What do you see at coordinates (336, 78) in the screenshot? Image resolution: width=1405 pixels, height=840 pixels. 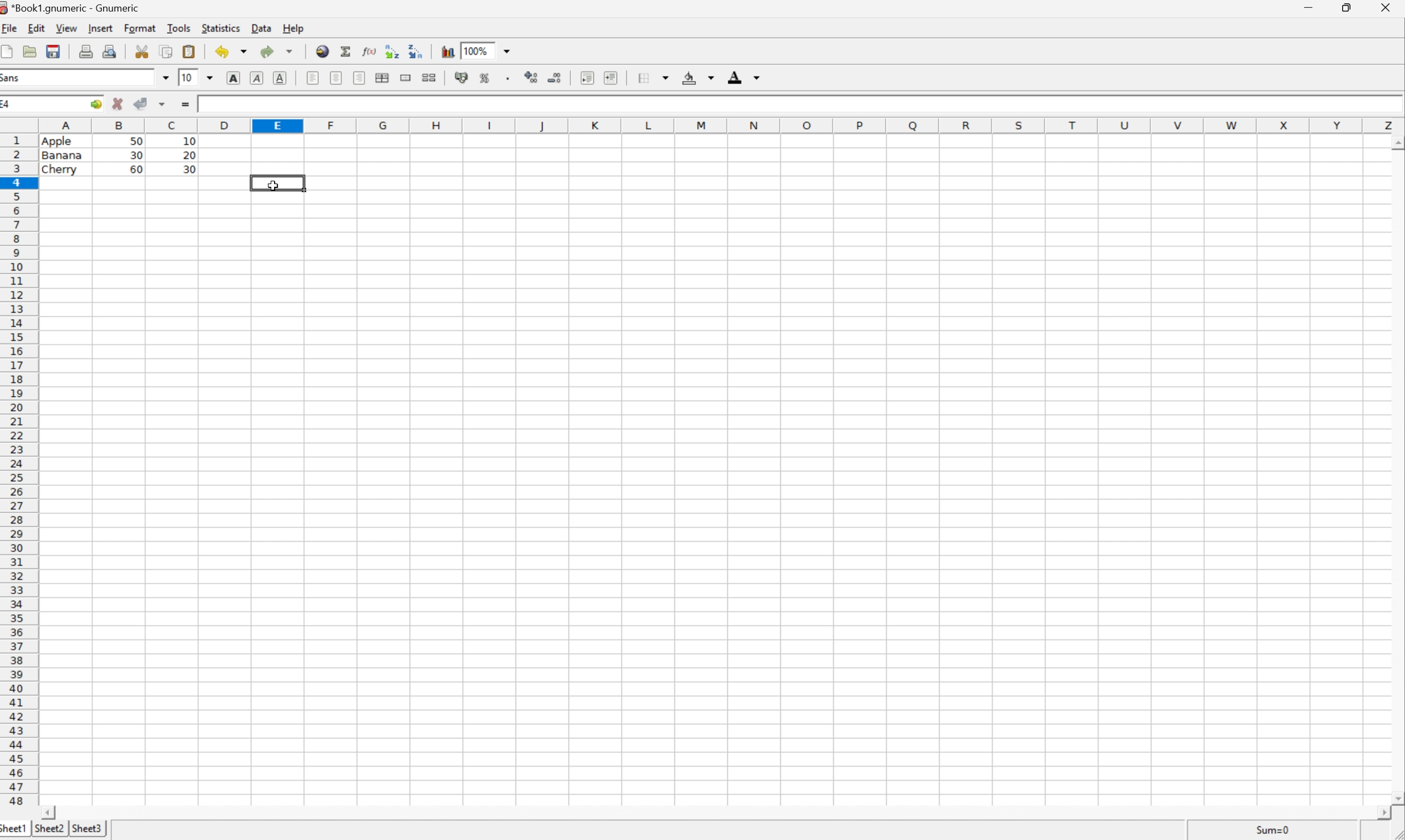 I see `center horizontally` at bounding box center [336, 78].